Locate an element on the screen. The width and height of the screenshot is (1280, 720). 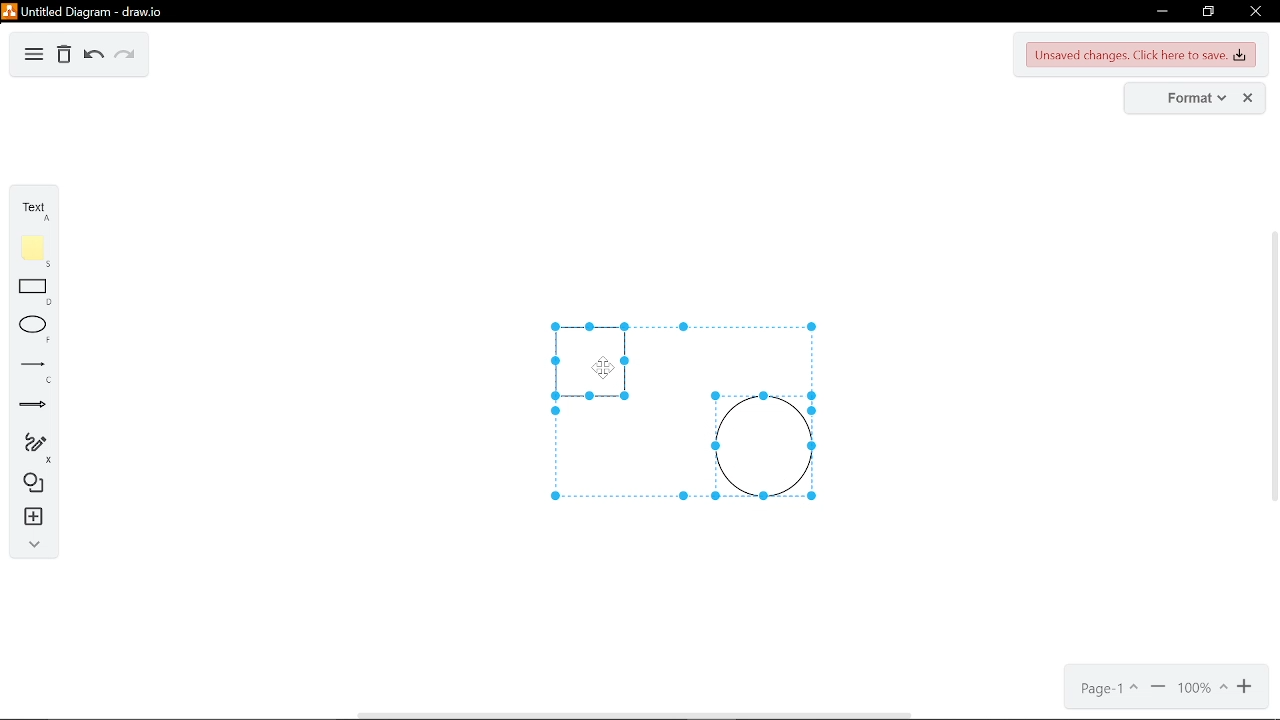
undo is located at coordinates (92, 57).